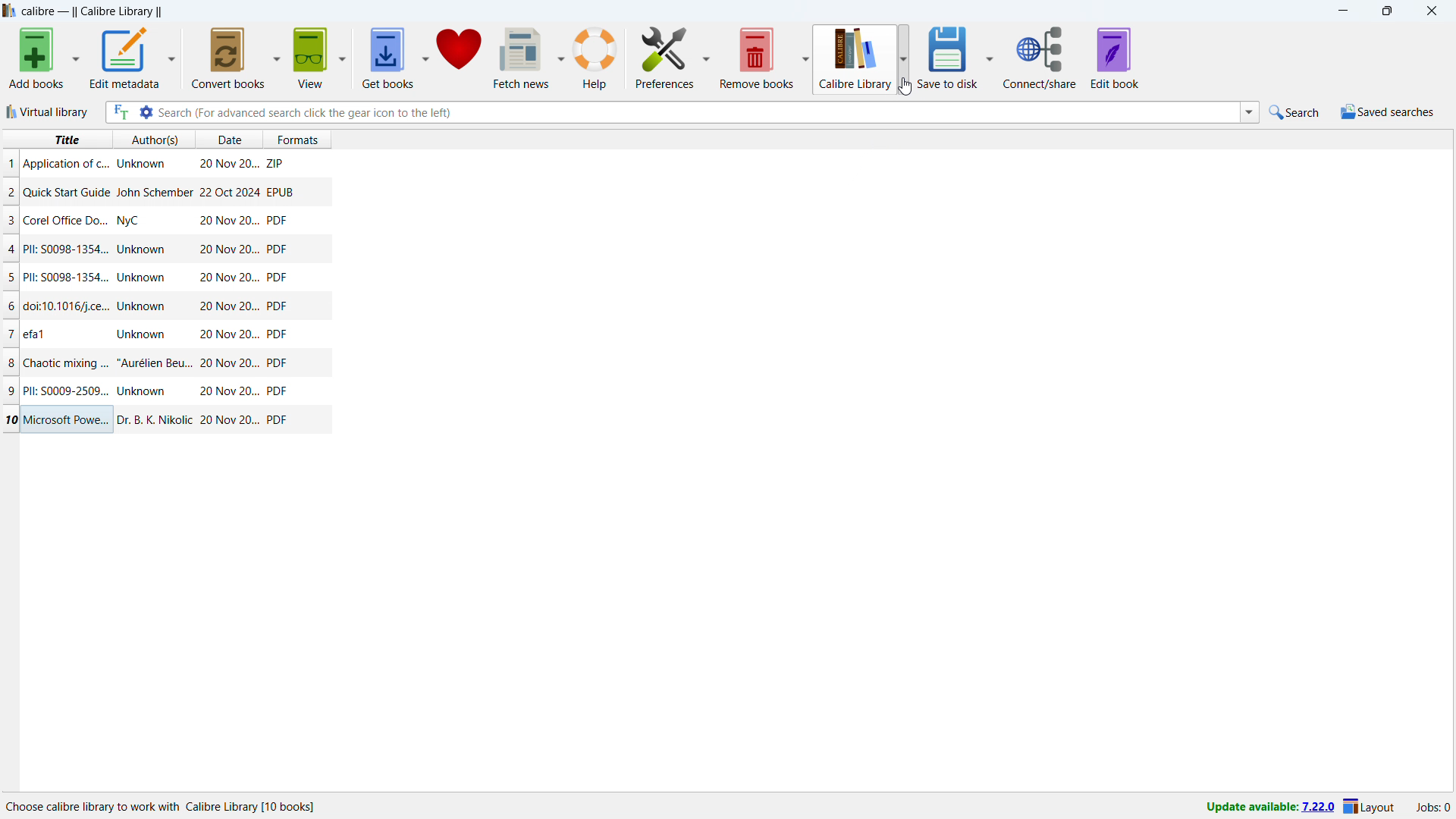  Describe the element at coordinates (229, 57) in the screenshot. I see `convert books` at that location.